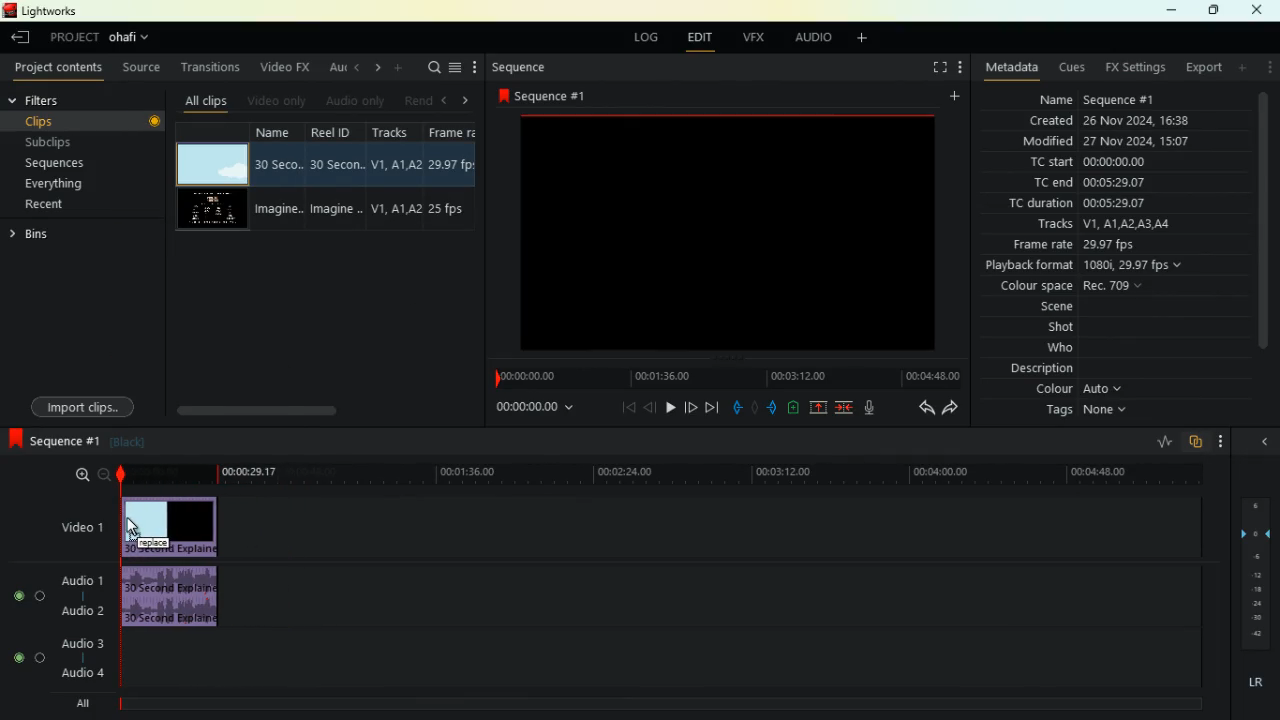 This screenshot has height=720, width=1280. I want to click on filters, so click(59, 101).